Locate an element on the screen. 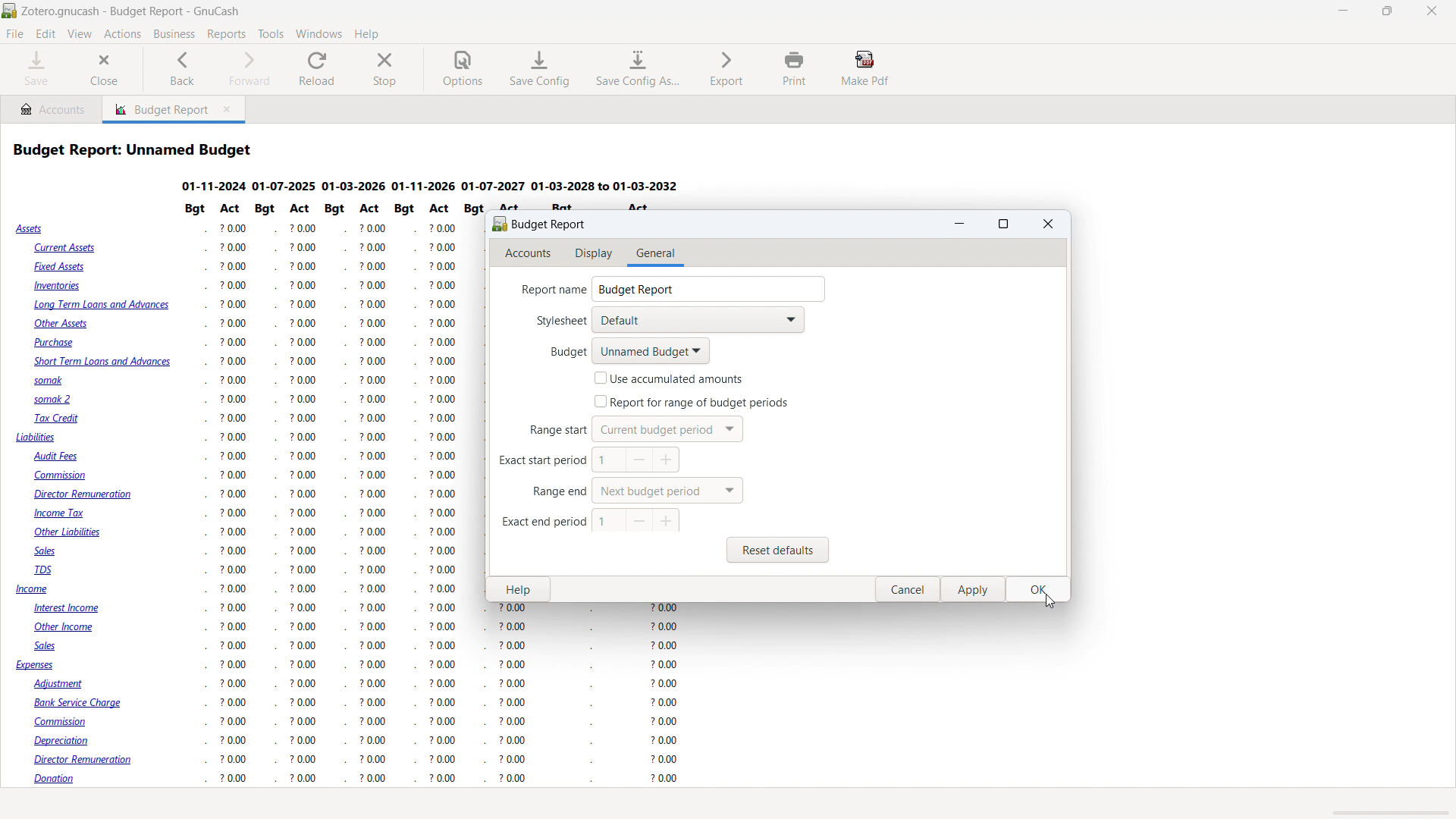 Image resolution: width=1456 pixels, height=819 pixels. ok is located at coordinates (1039, 590).